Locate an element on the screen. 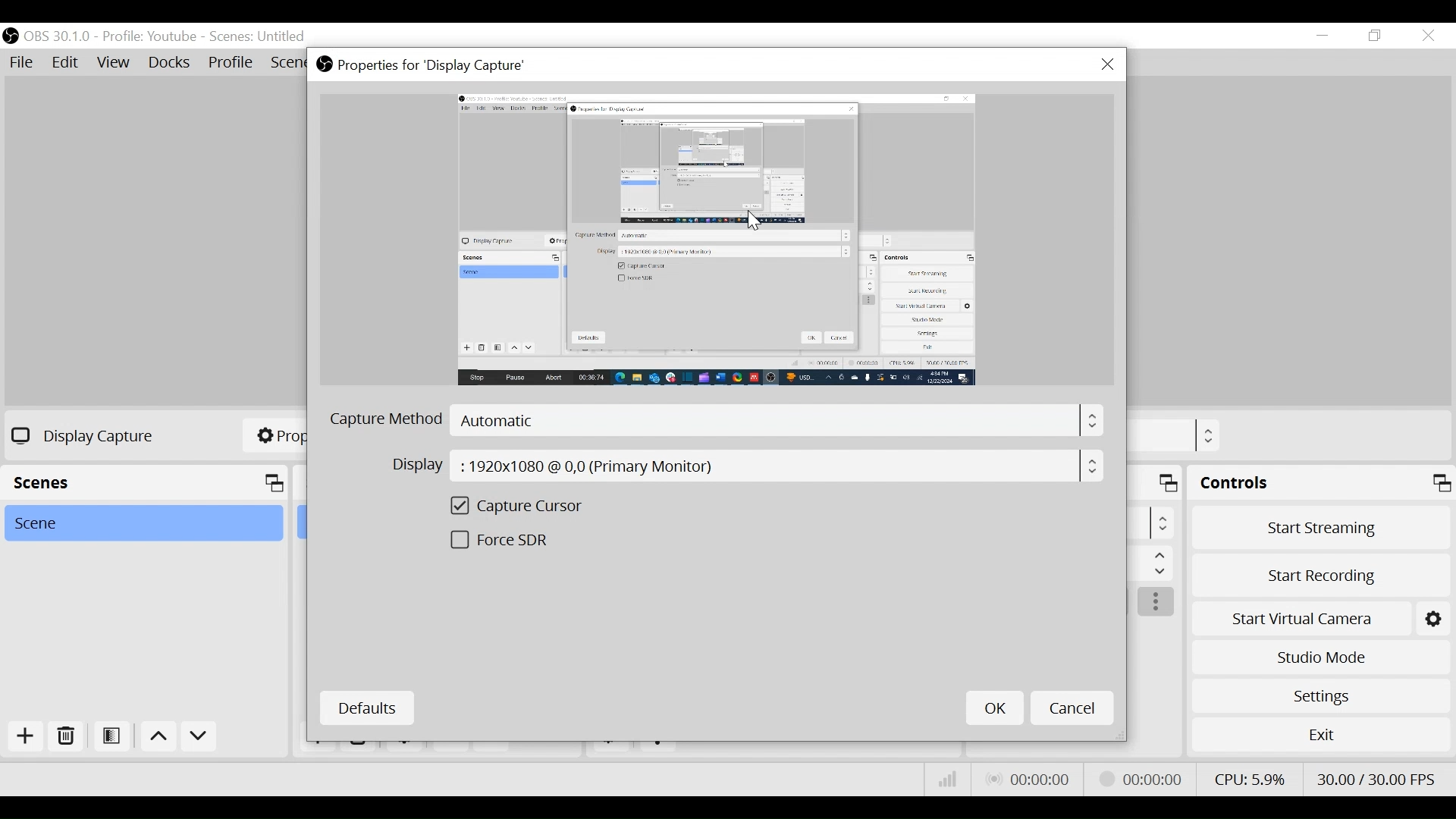 This screenshot has width=1456, height=819. Cursor is located at coordinates (753, 221).